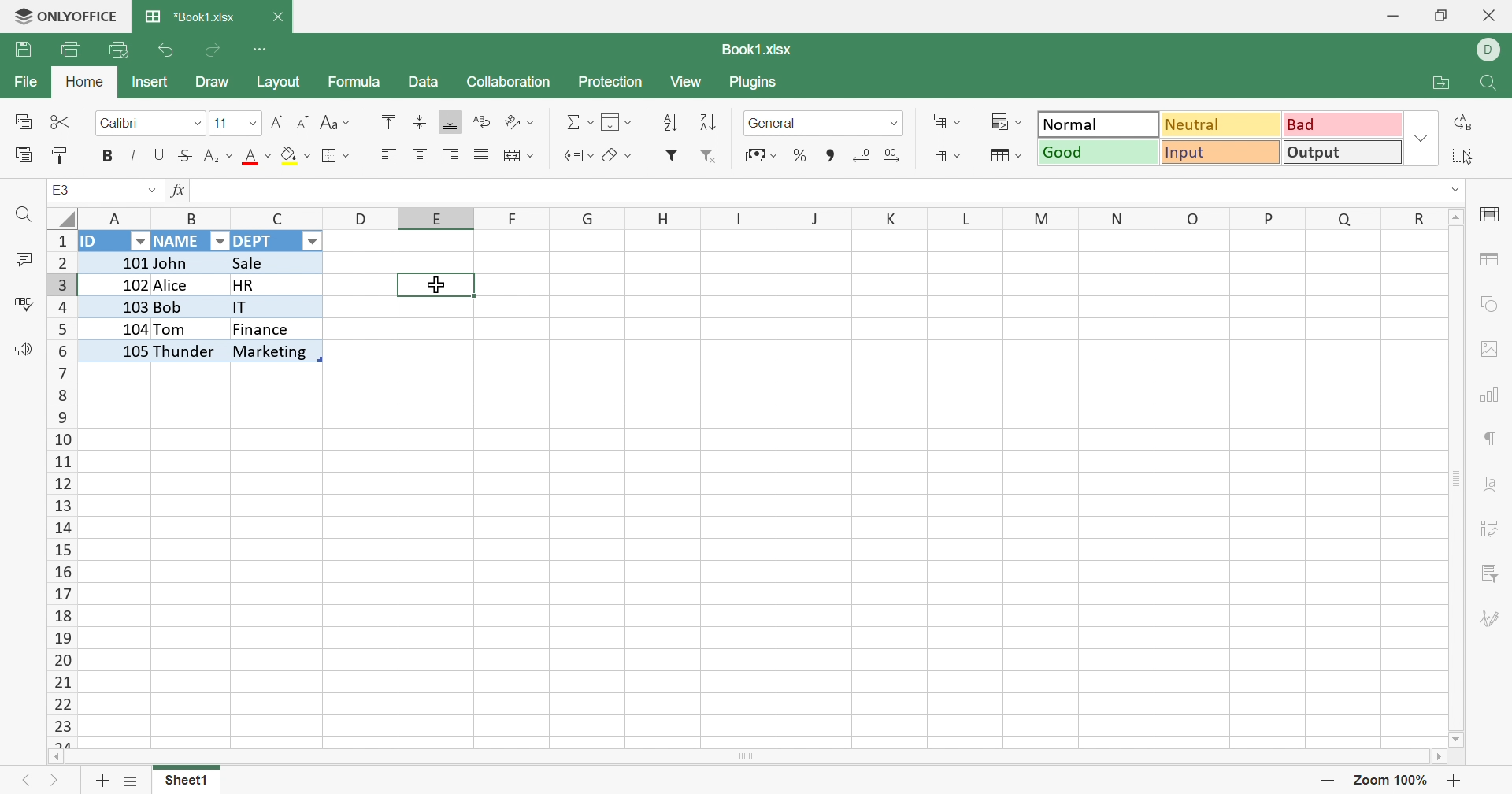  I want to click on Close, so click(280, 15).